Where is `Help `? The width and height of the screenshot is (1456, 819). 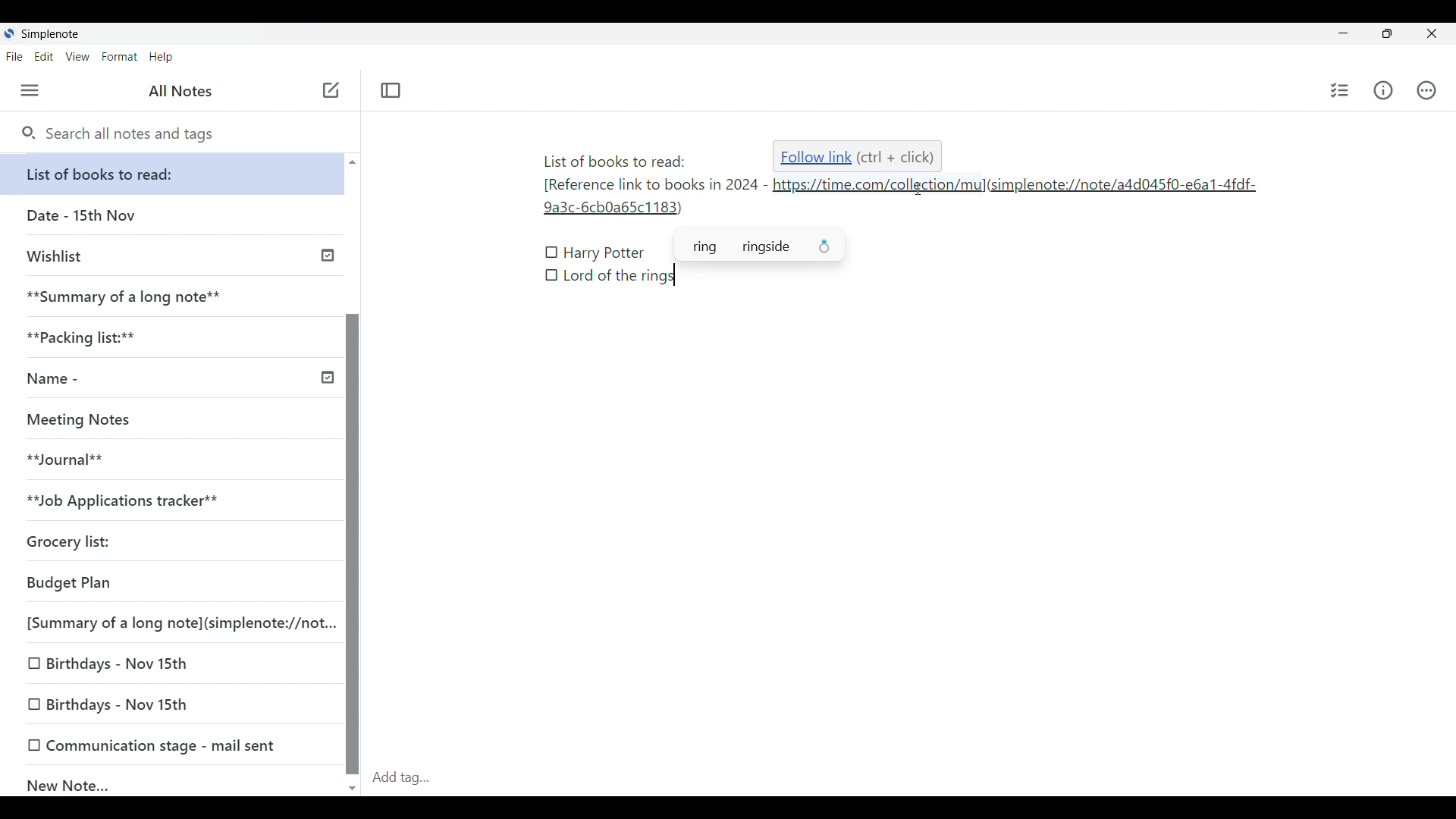
Help  is located at coordinates (162, 58).